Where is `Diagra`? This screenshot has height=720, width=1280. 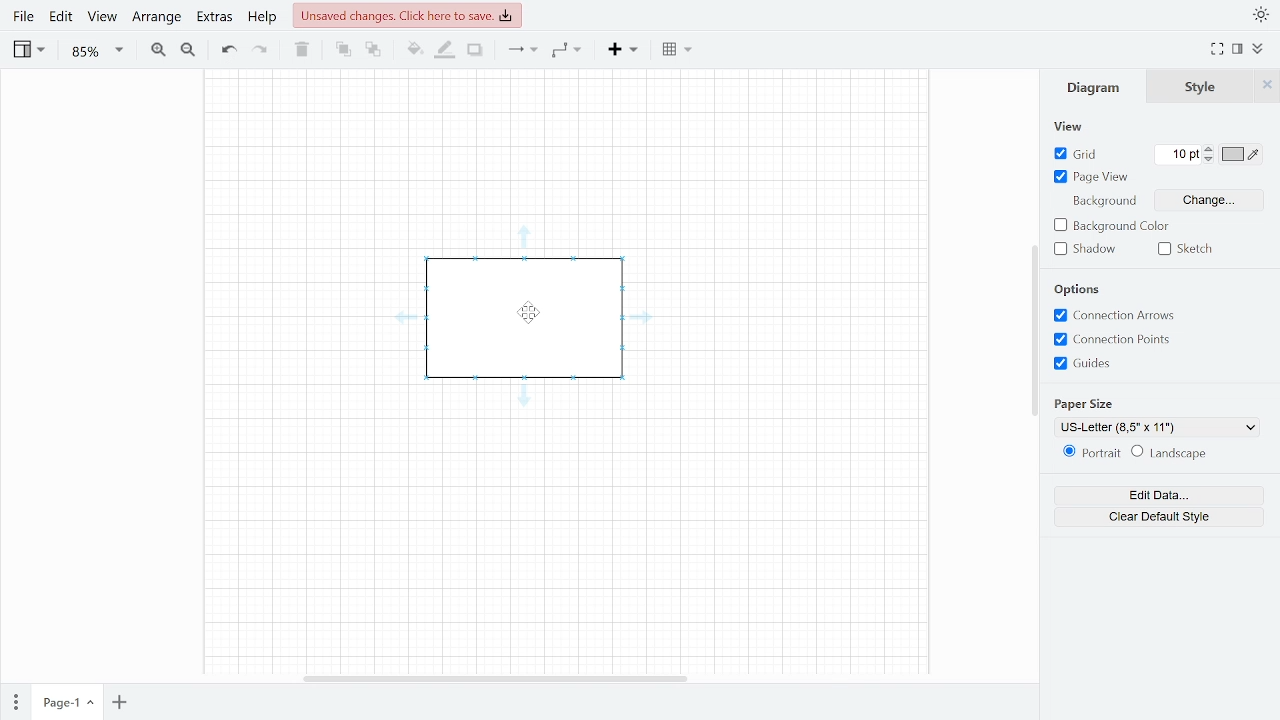
Diagra is located at coordinates (1094, 88).